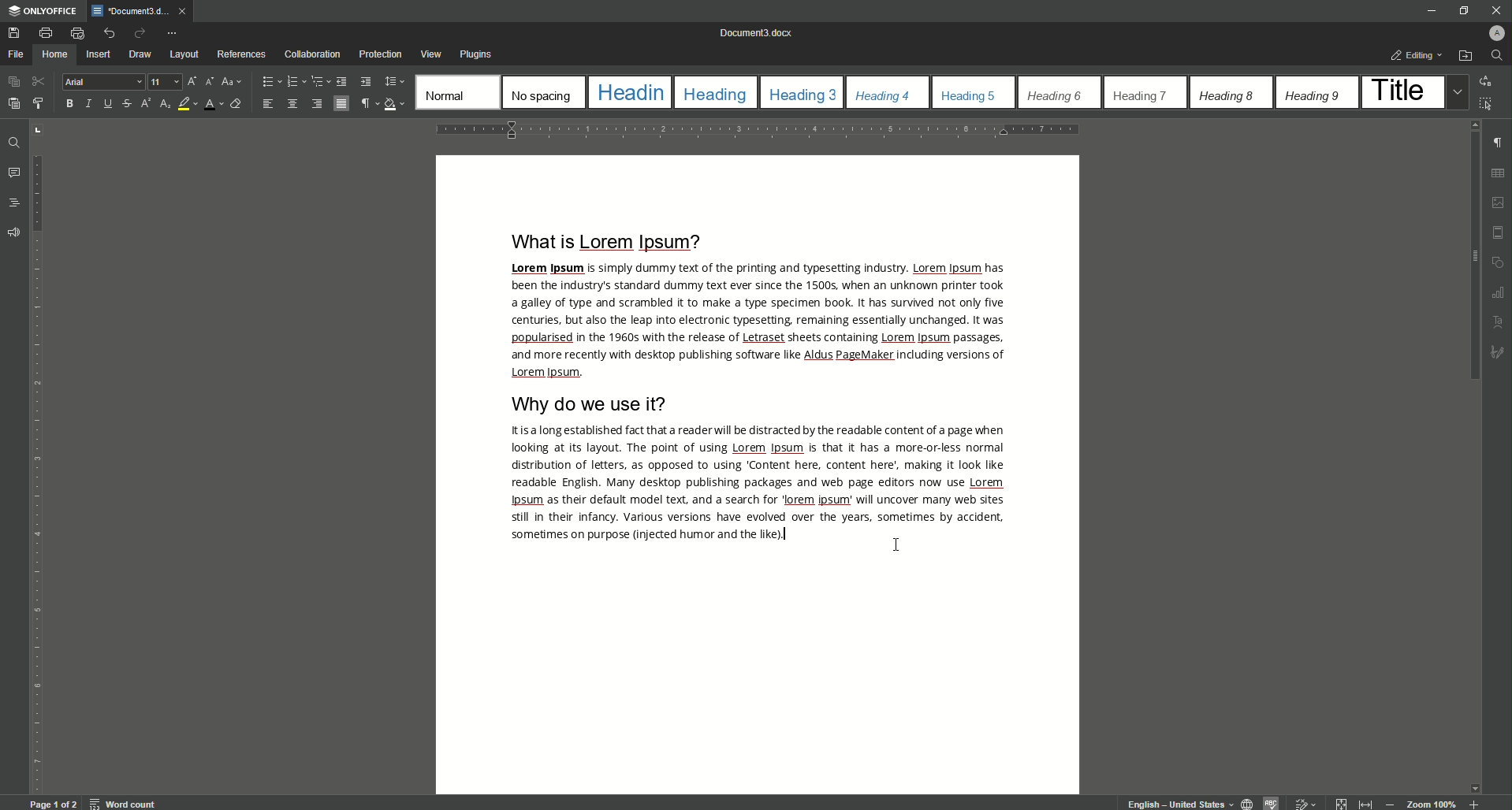 This screenshot has height=810, width=1512. Describe the element at coordinates (1391, 803) in the screenshot. I see `Zoom Out` at that location.